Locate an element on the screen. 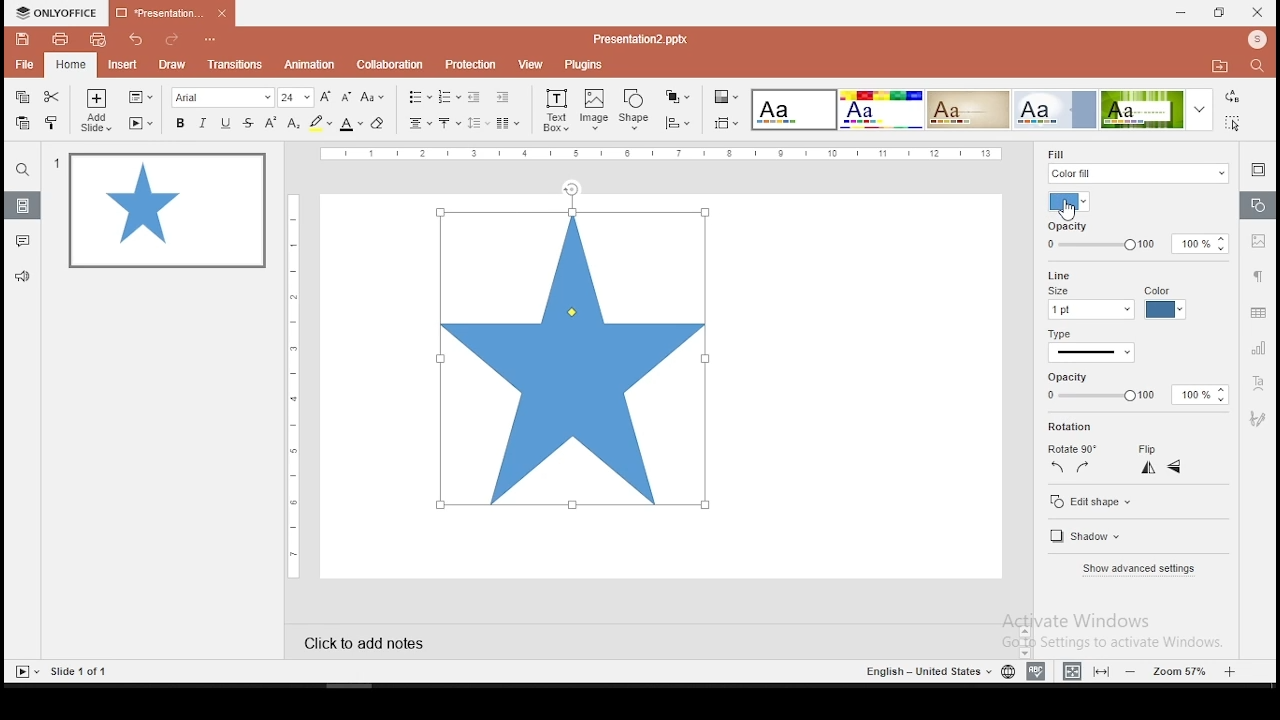  search is located at coordinates (23, 169).